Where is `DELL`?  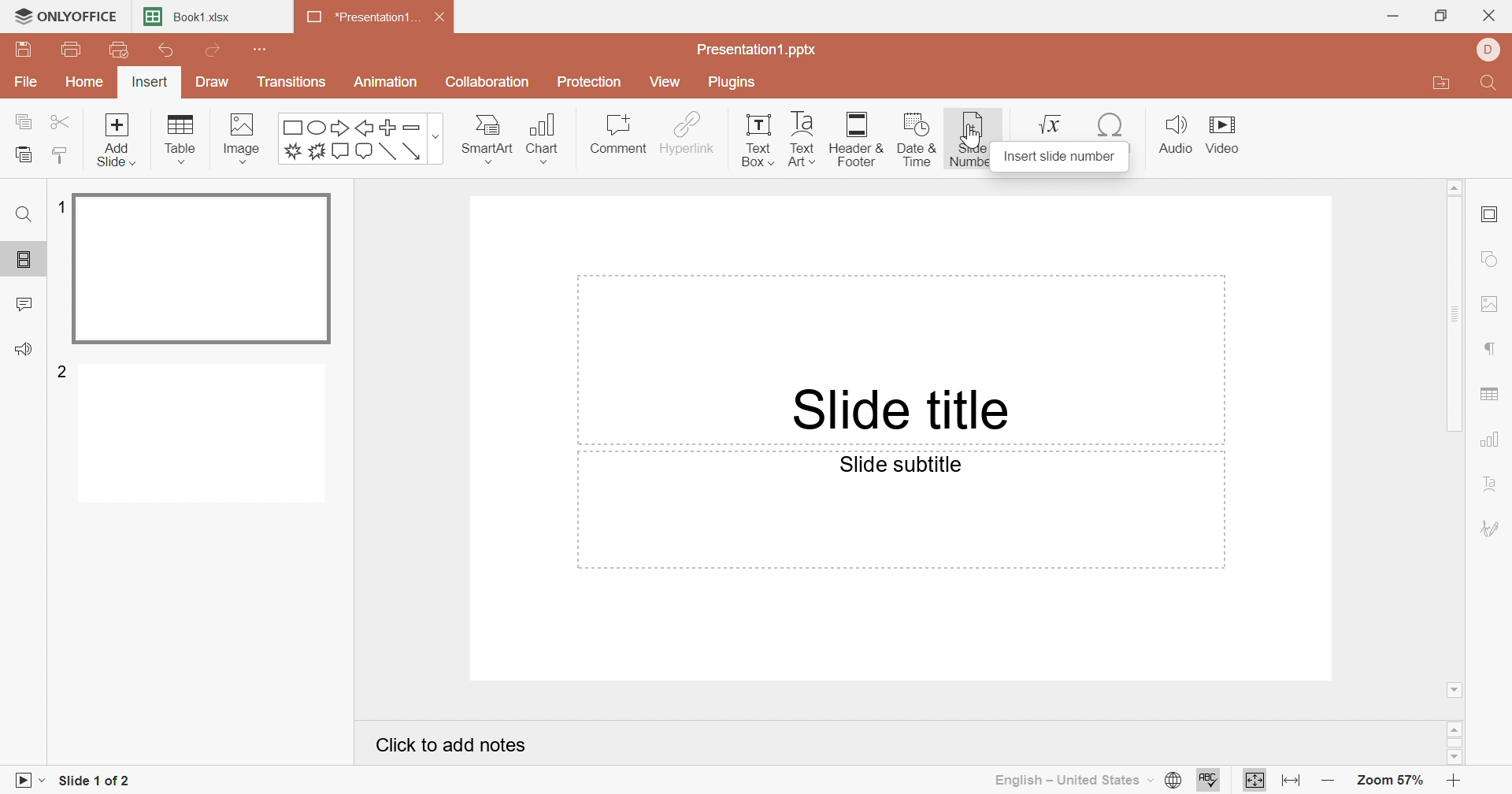 DELL is located at coordinates (1492, 50).